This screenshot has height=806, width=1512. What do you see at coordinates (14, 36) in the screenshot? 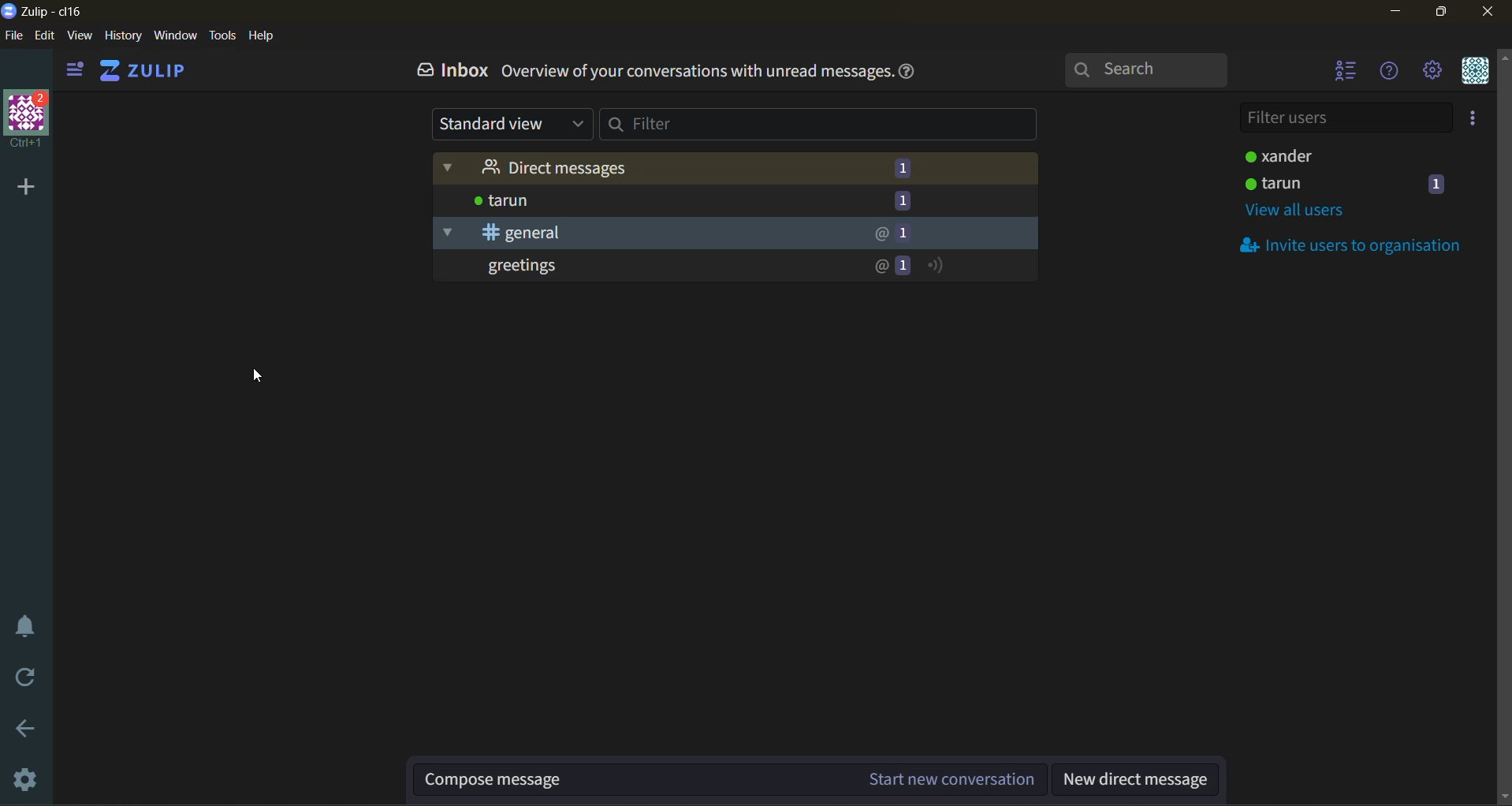
I see `file` at bounding box center [14, 36].